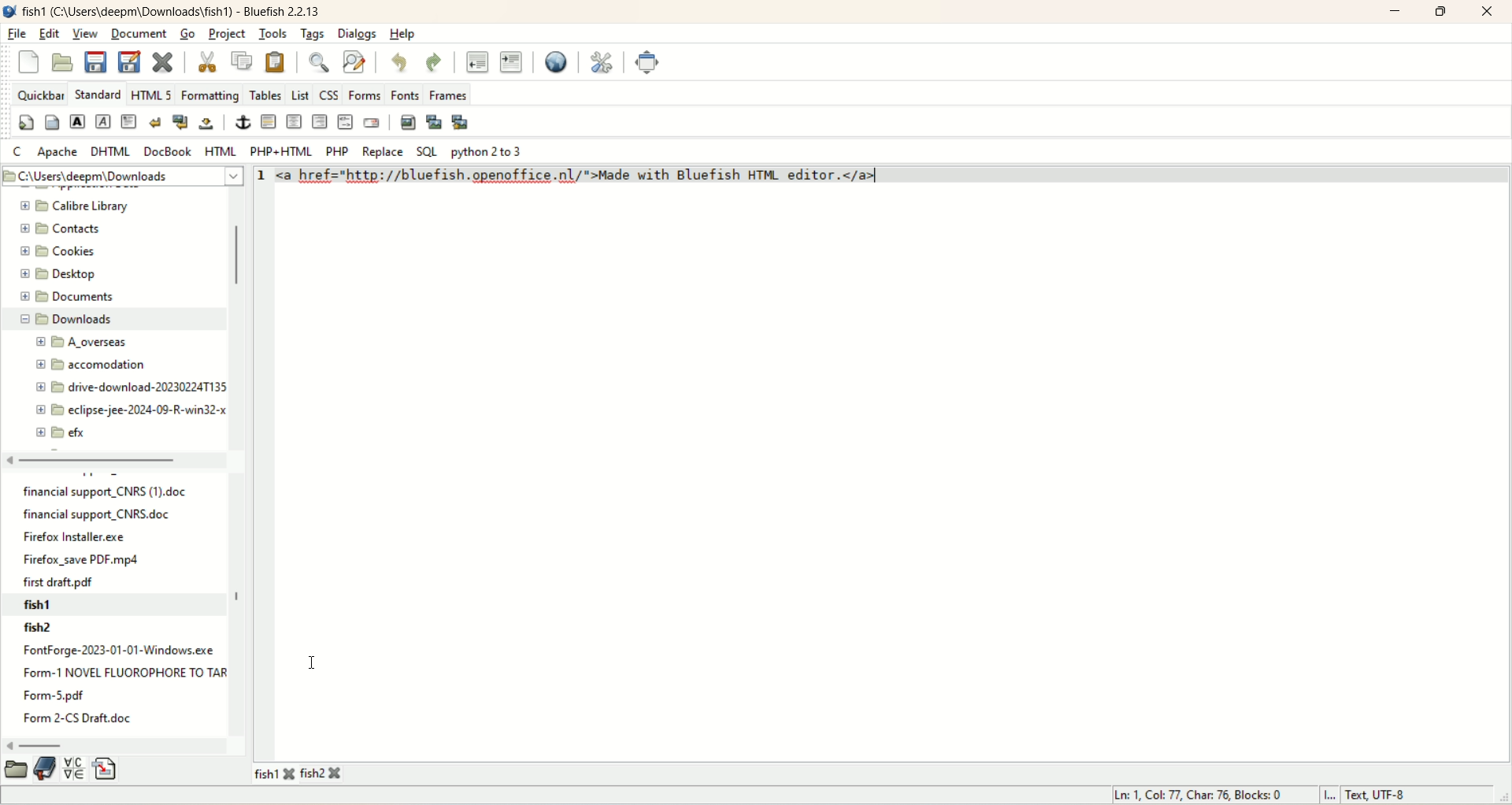  Describe the element at coordinates (602, 57) in the screenshot. I see `edit preferences` at that location.